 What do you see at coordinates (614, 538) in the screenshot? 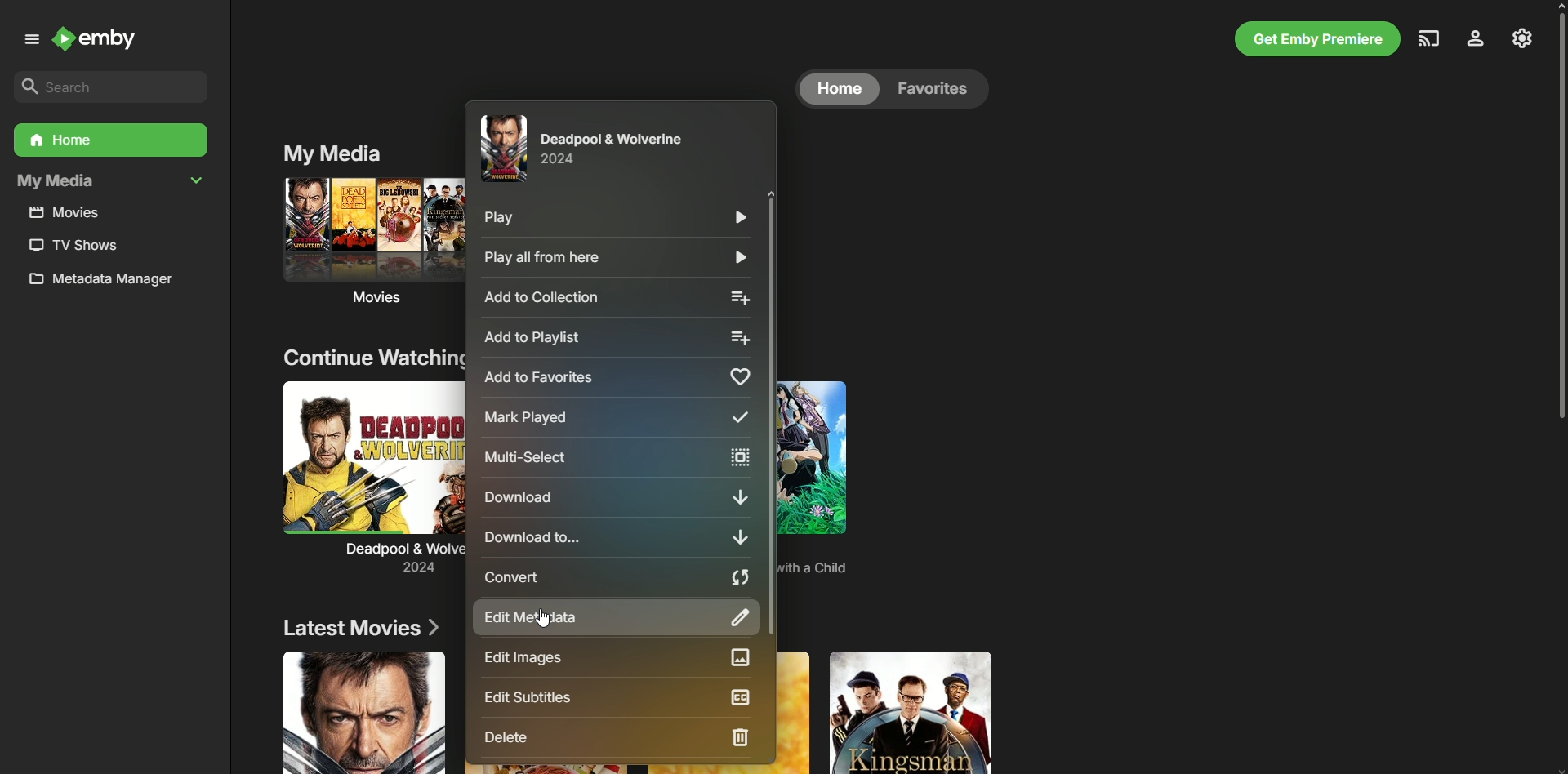
I see `Download to` at bounding box center [614, 538].